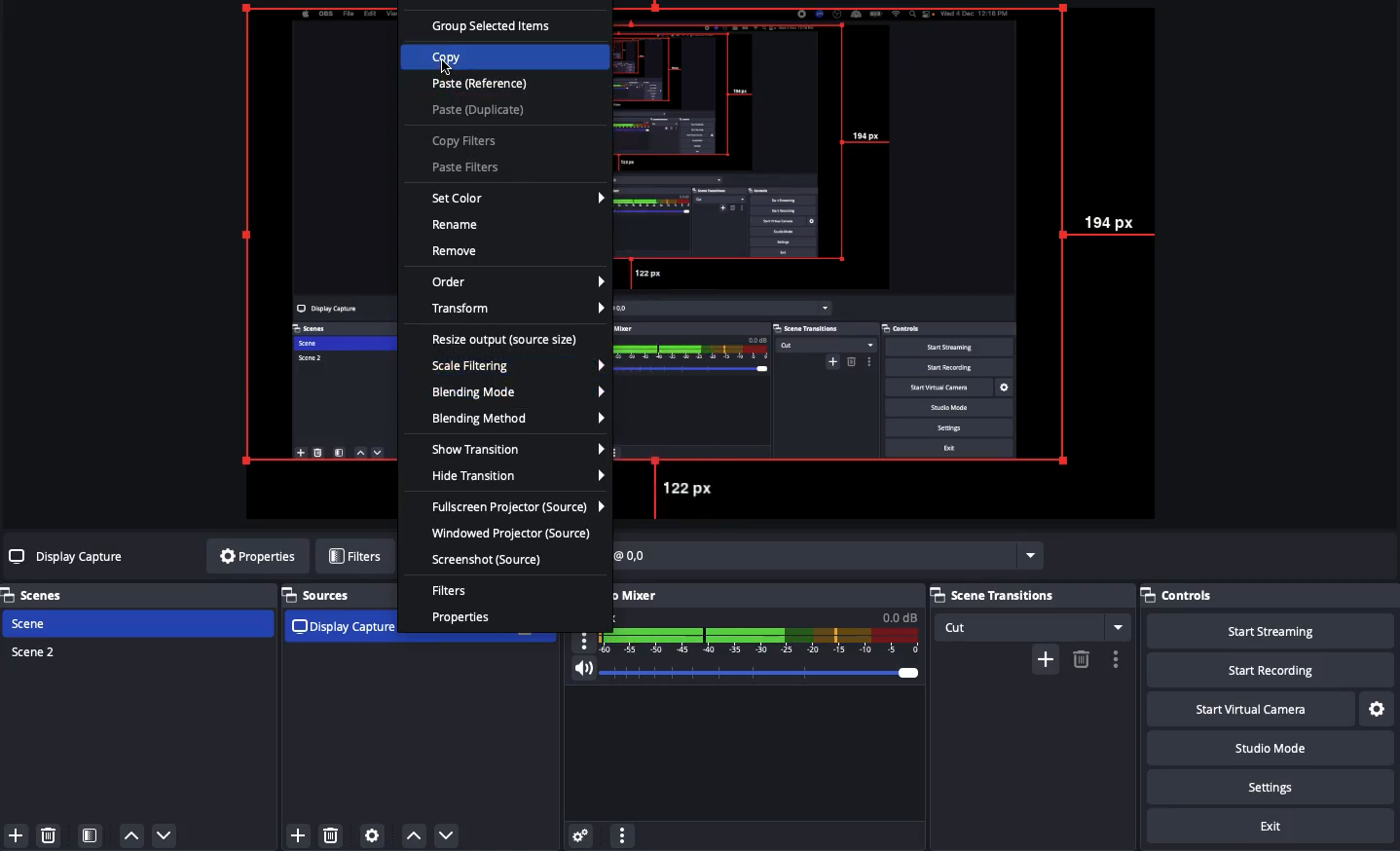 This screenshot has height=851, width=1400. What do you see at coordinates (459, 251) in the screenshot?
I see `Remove` at bounding box center [459, 251].